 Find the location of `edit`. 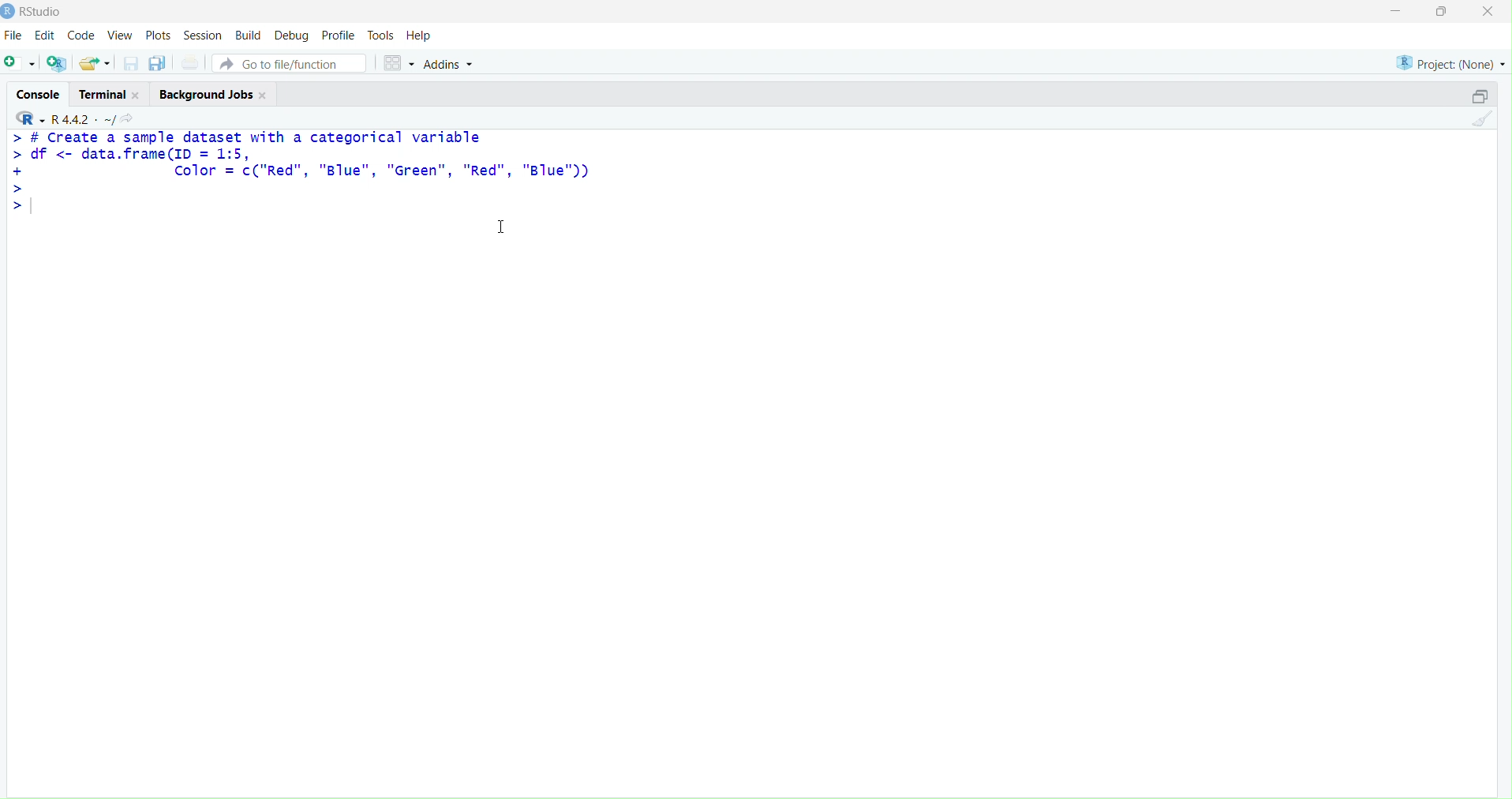

edit is located at coordinates (46, 35).